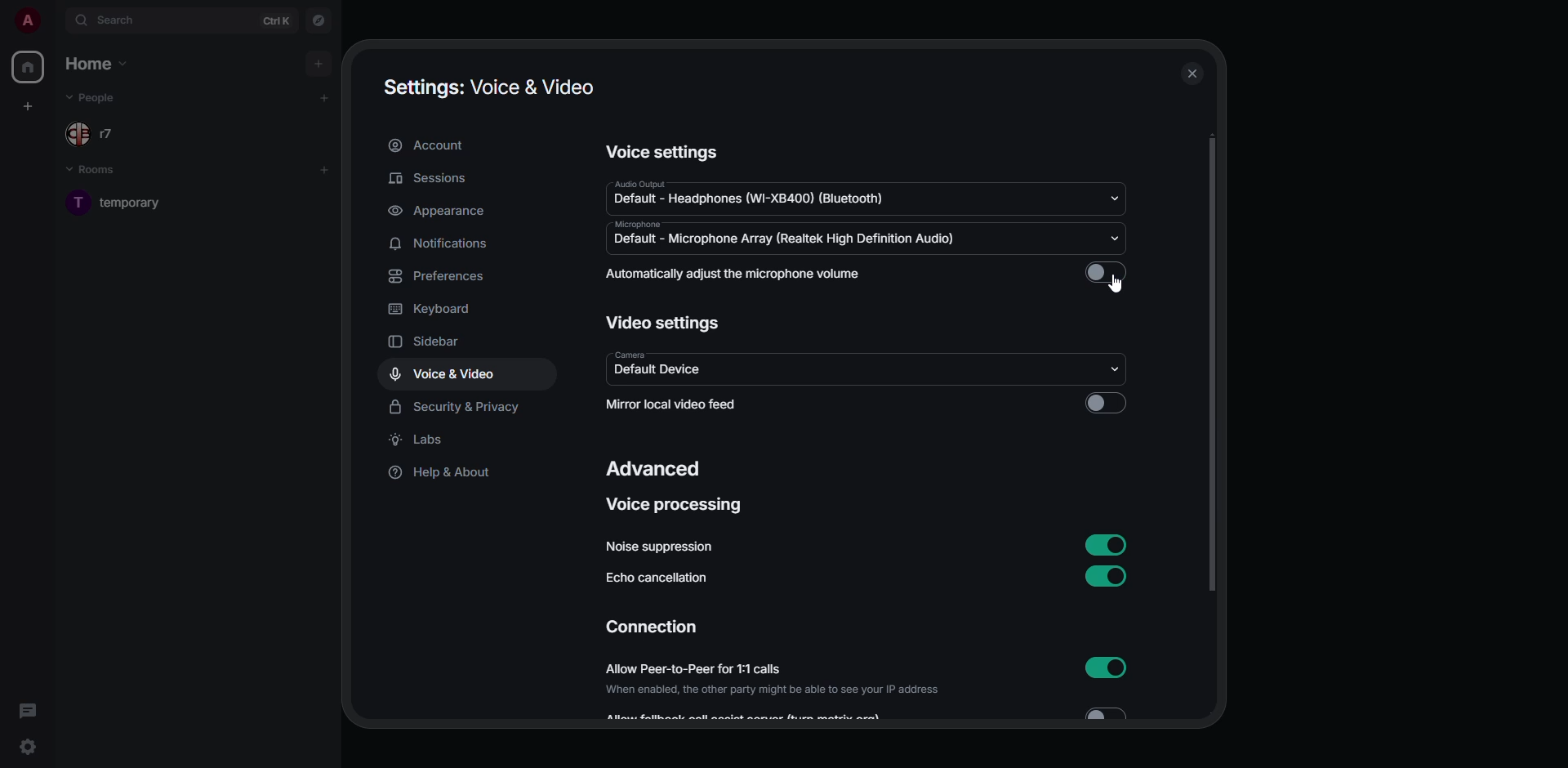  What do you see at coordinates (660, 373) in the screenshot?
I see `Default Device` at bounding box center [660, 373].